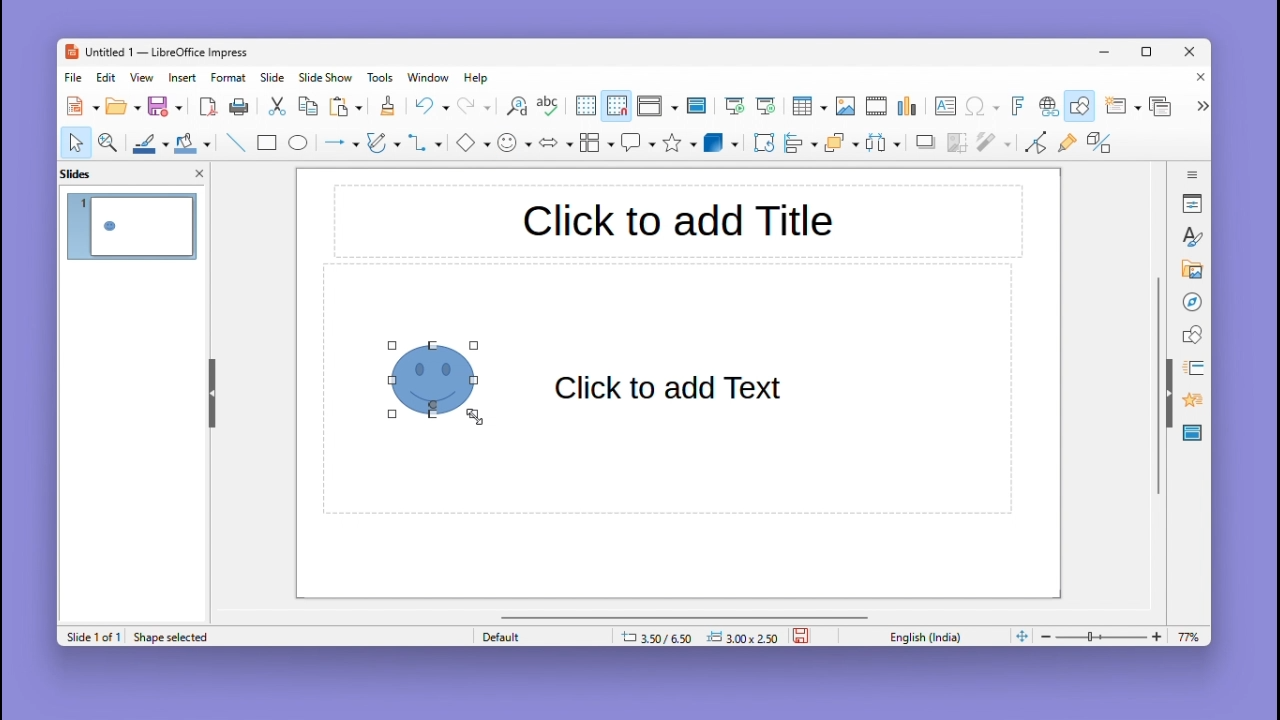 The height and width of the screenshot is (720, 1280). What do you see at coordinates (1033, 146) in the screenshot?
I see `Toggle point` at bounding box center [1033, 146].